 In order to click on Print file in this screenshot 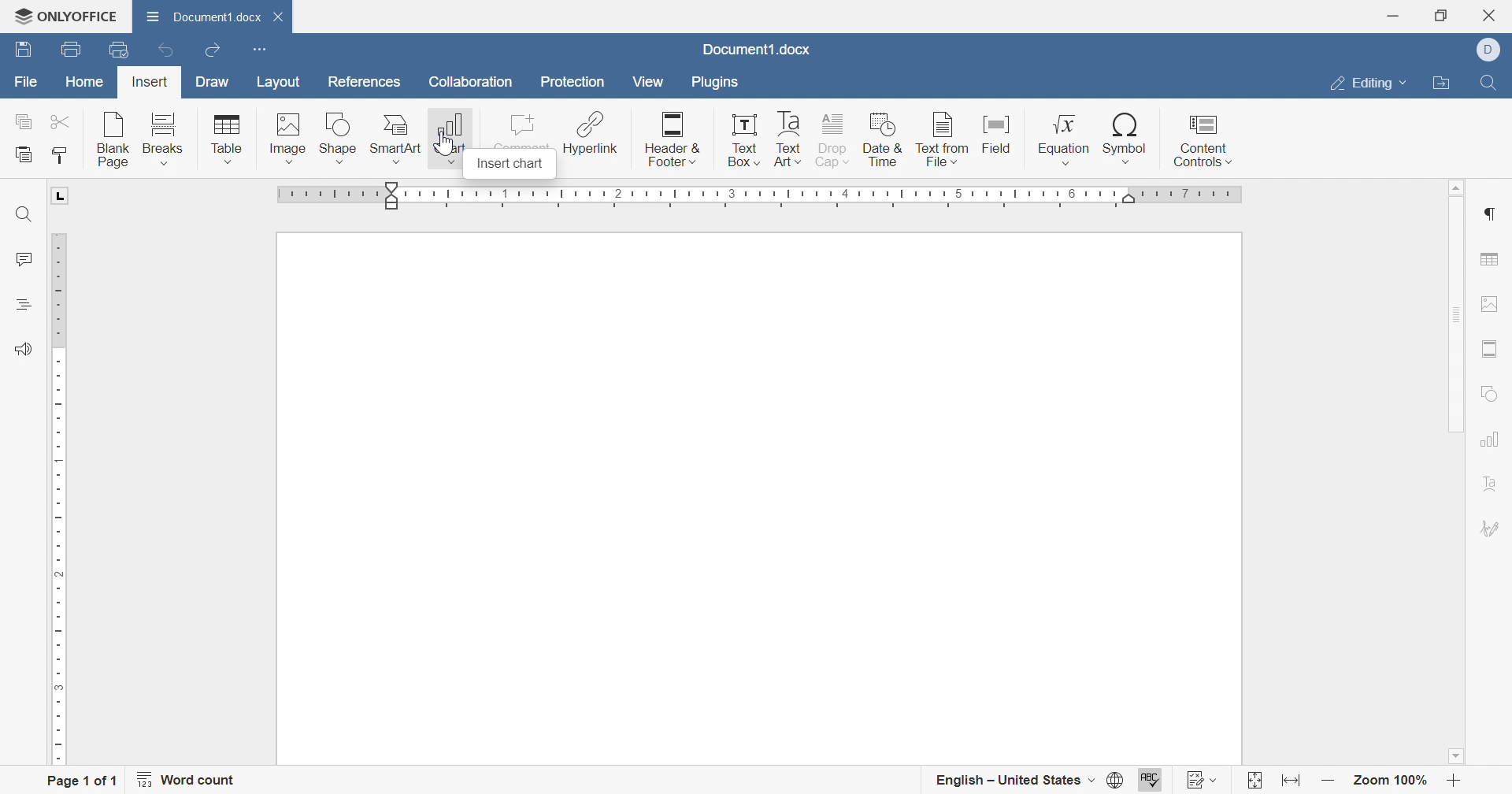, I will do `click(69, 48)`.